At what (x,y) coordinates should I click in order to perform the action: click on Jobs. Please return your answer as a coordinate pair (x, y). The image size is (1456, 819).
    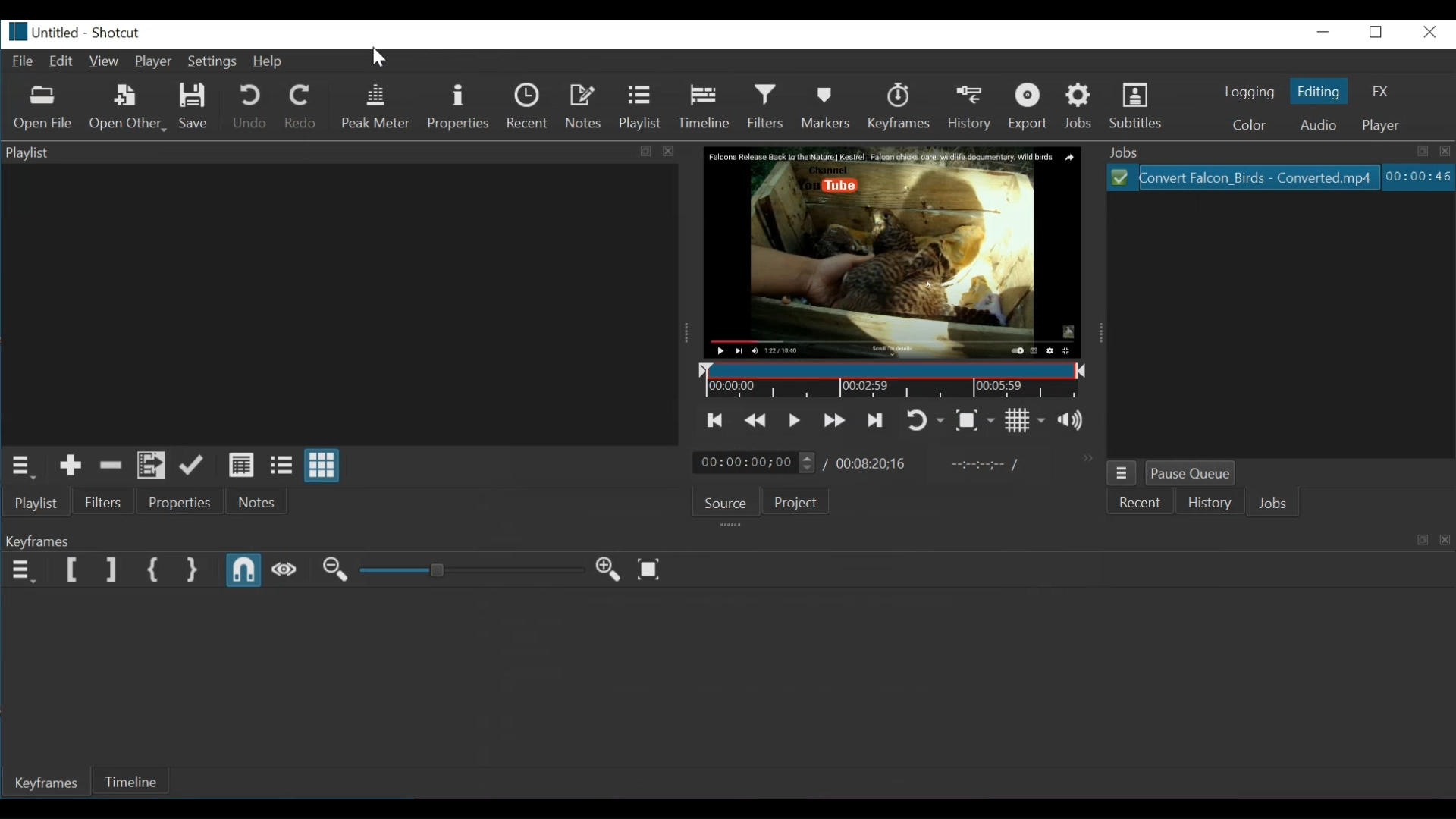
    Looking at the image, I should click on (1080, 105).